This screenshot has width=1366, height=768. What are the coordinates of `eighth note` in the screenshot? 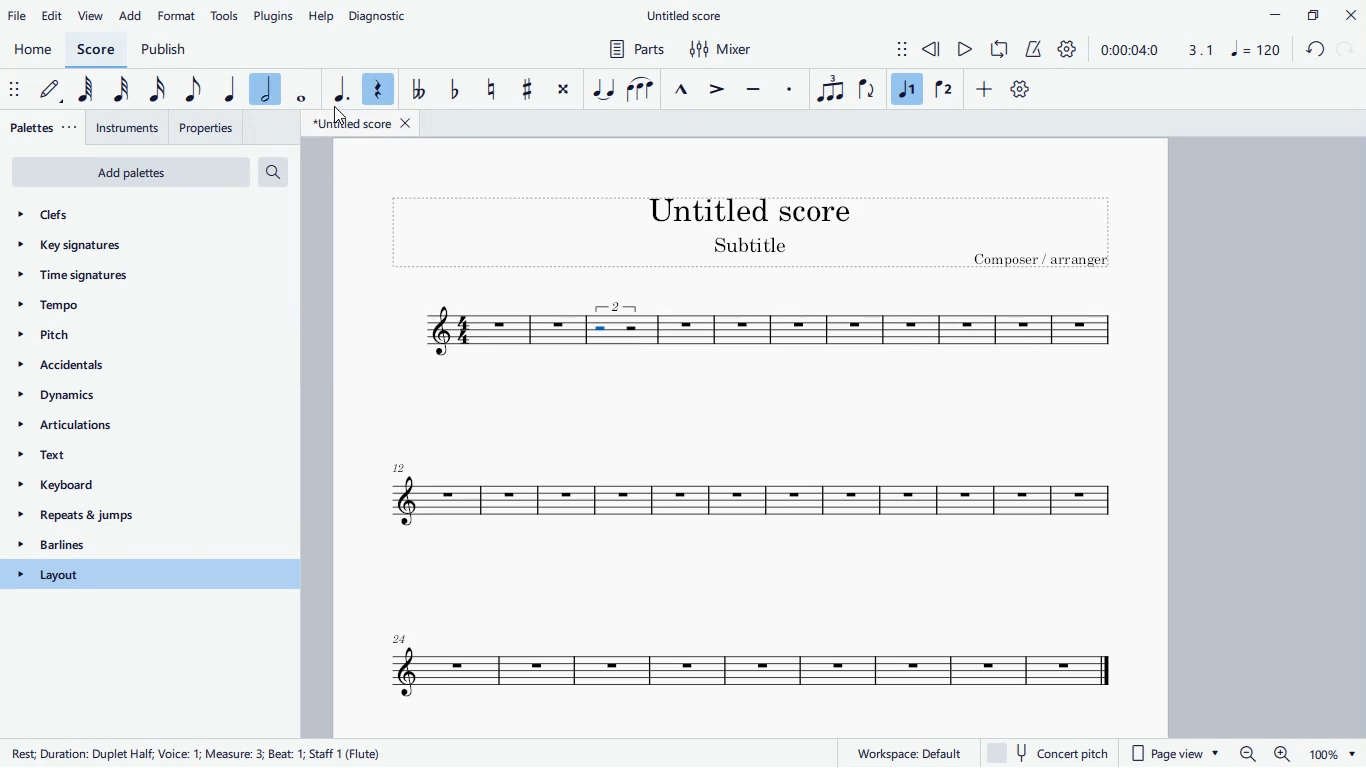 It's located at (192, 91).